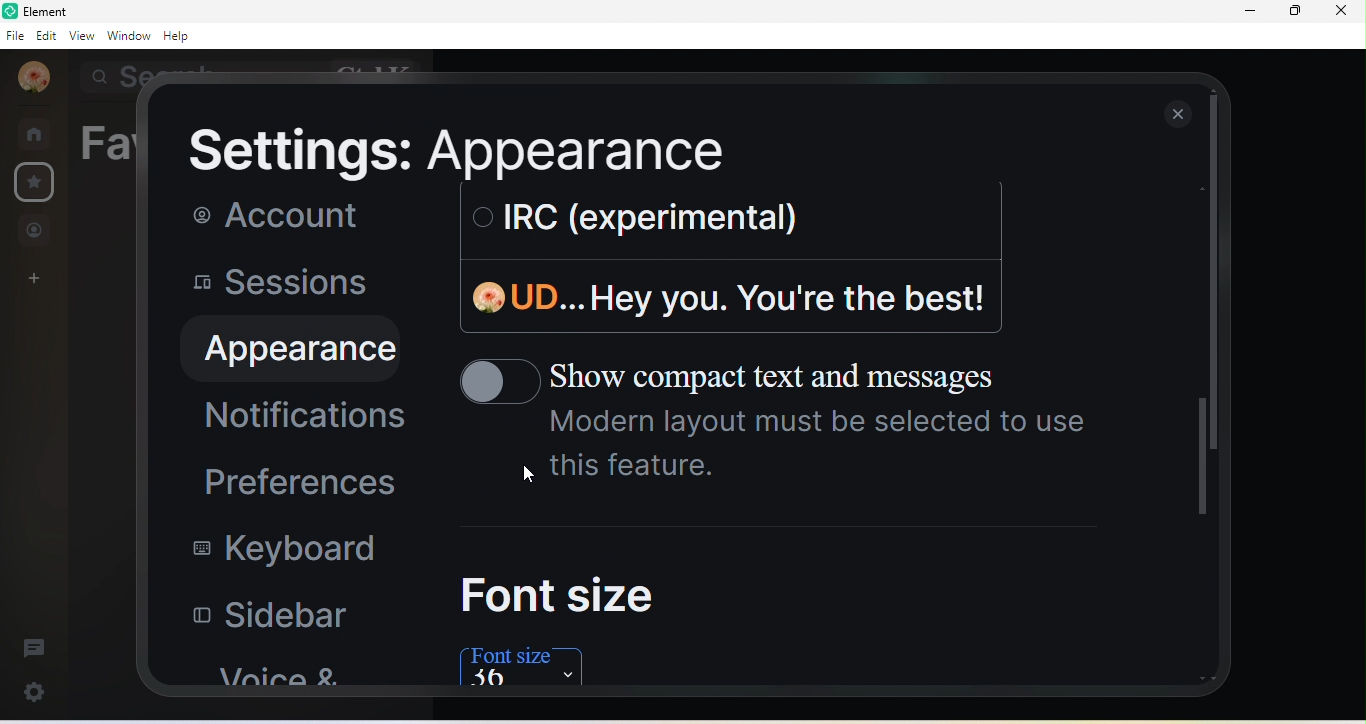 The image size is (1366, 724). Describe the element at coordinates (182, 36) in the screenshot. I see `help` at that location.